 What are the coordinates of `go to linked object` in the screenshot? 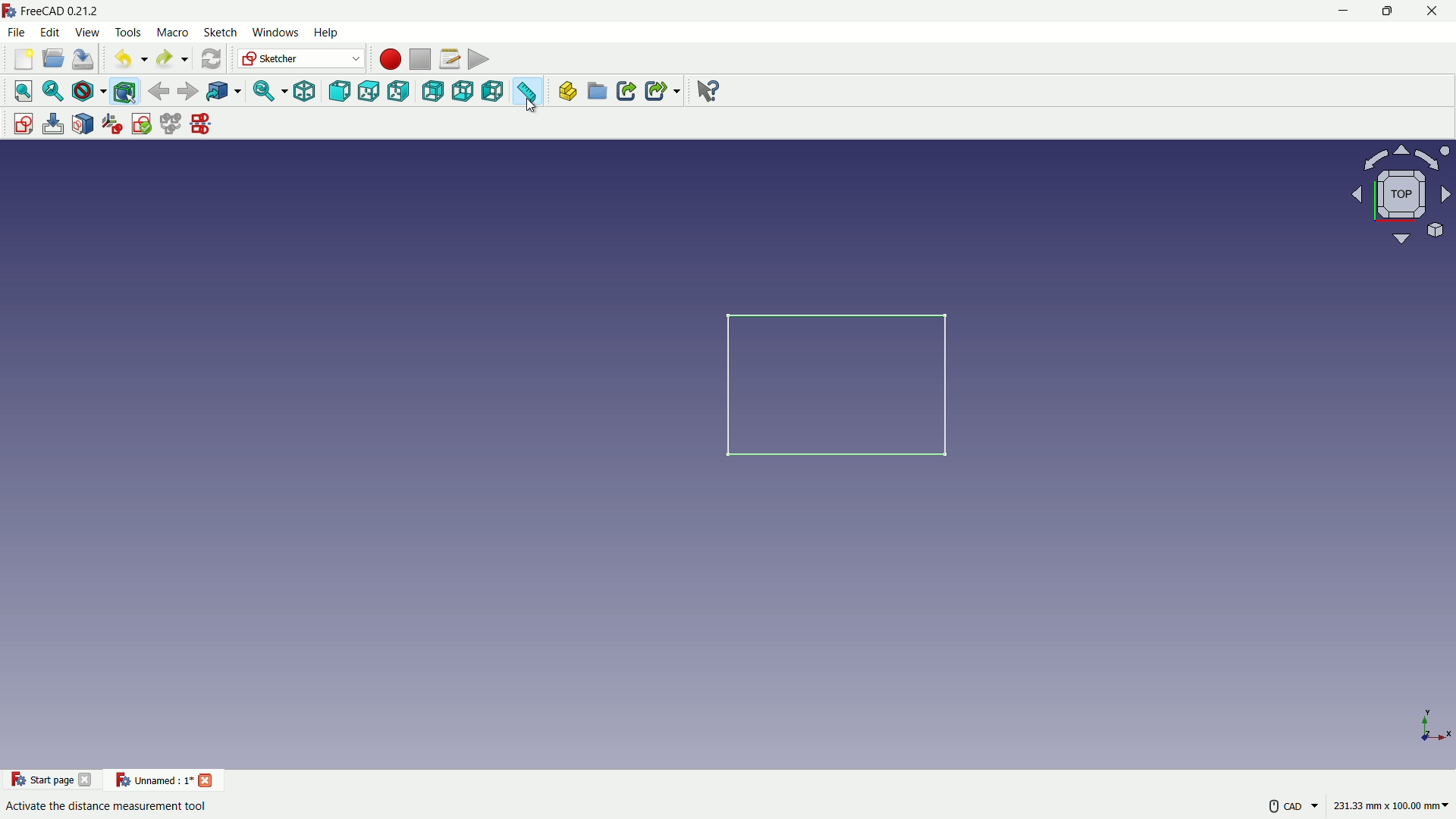 It's located at (223, 93).